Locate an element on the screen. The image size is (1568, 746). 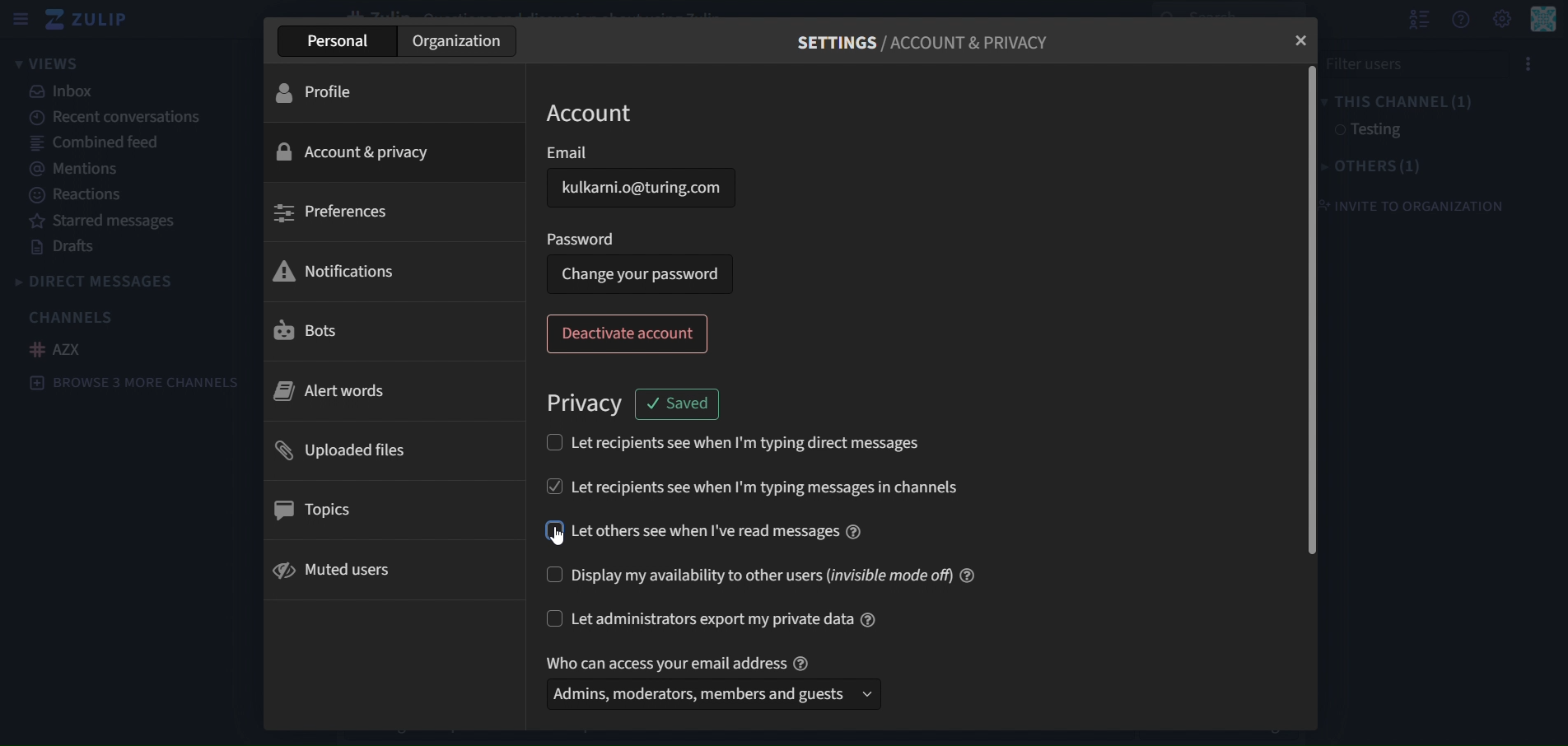
organization is located at coordinates (459, 42).